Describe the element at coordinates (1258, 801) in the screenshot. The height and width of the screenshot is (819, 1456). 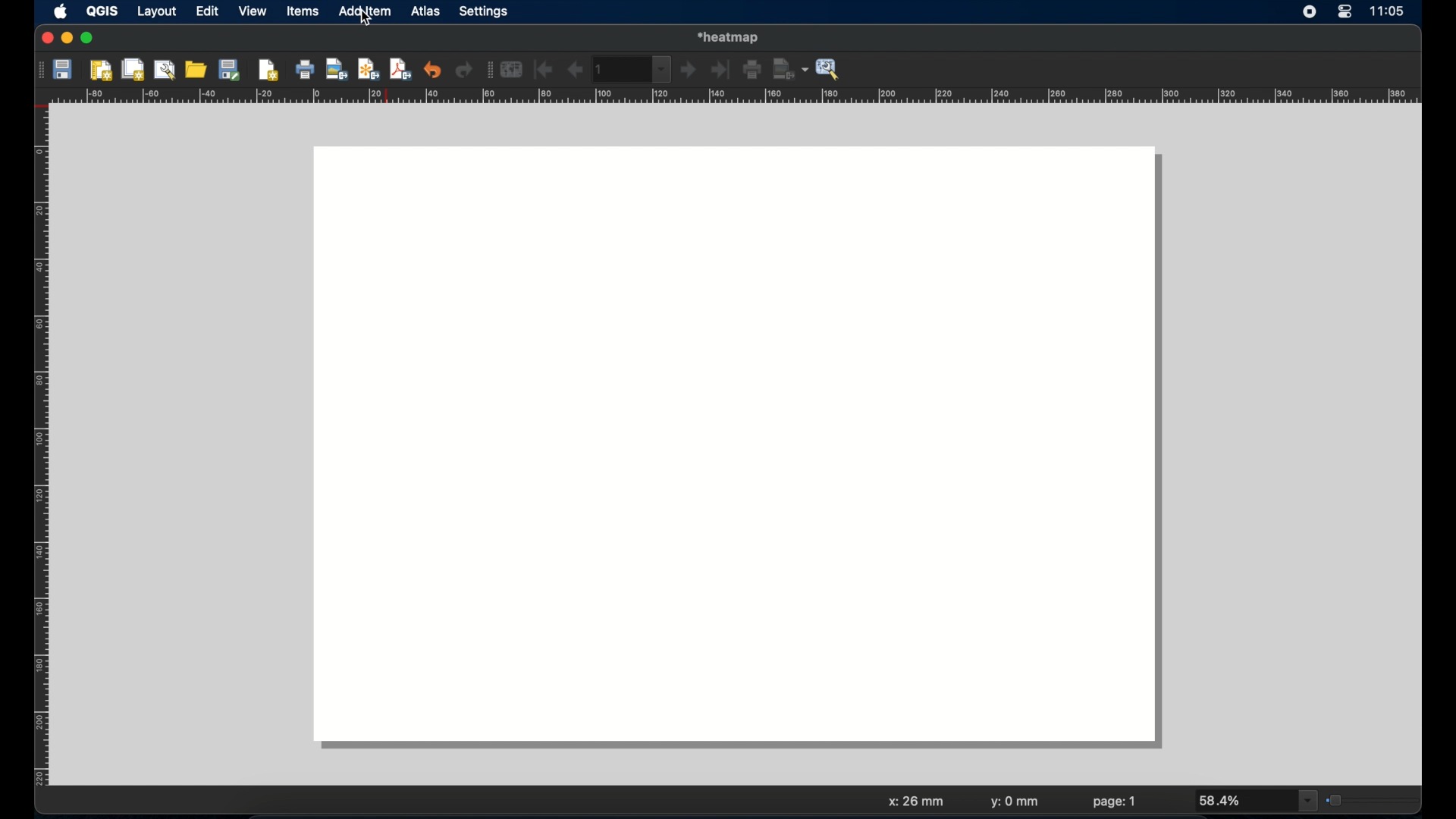
I see `zoom drop down` at that location.